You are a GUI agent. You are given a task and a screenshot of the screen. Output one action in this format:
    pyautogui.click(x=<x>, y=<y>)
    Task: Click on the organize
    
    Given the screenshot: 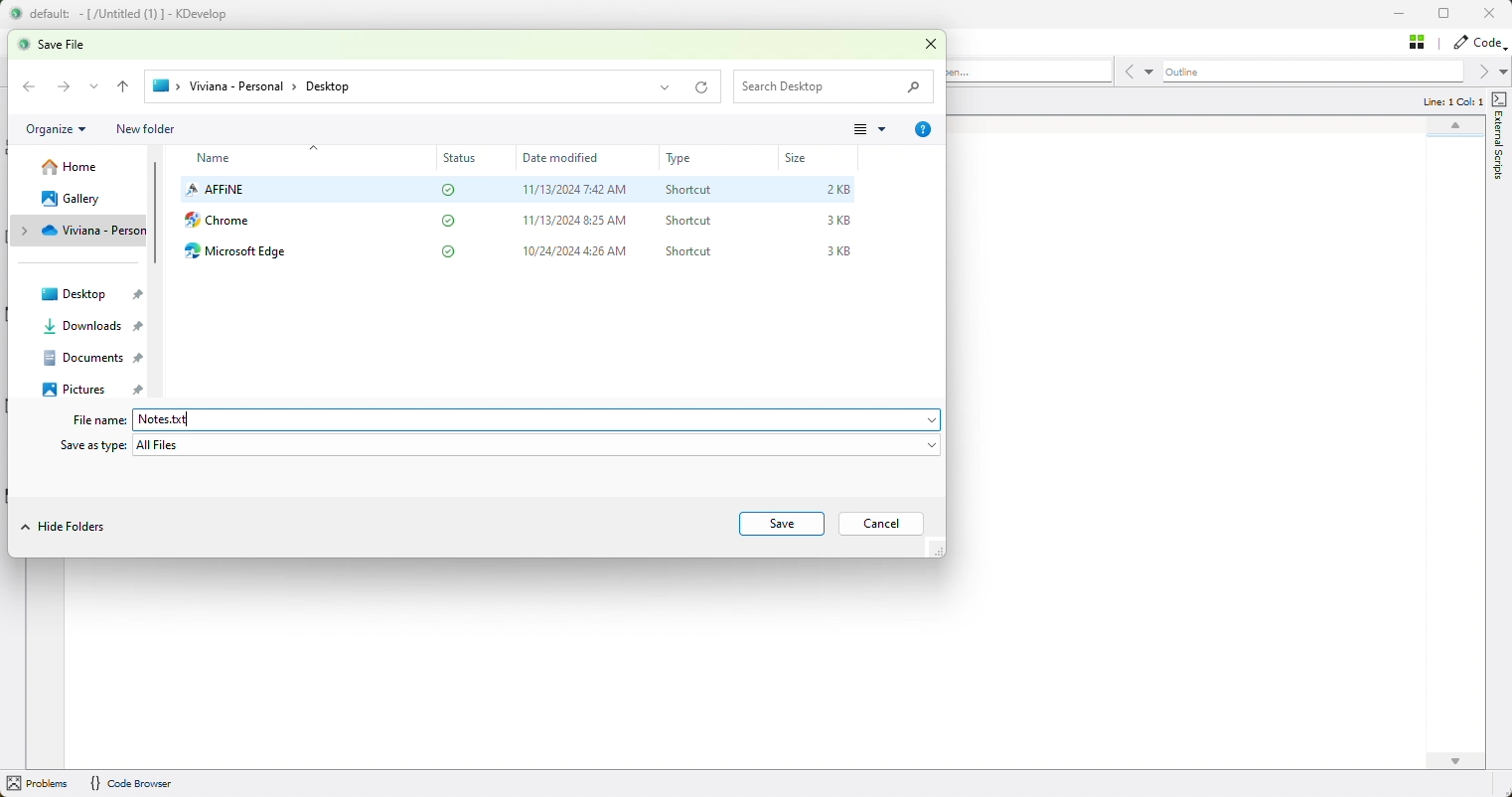 What is the action you would take?
    pyautogui.click(x=57, y=131)
    